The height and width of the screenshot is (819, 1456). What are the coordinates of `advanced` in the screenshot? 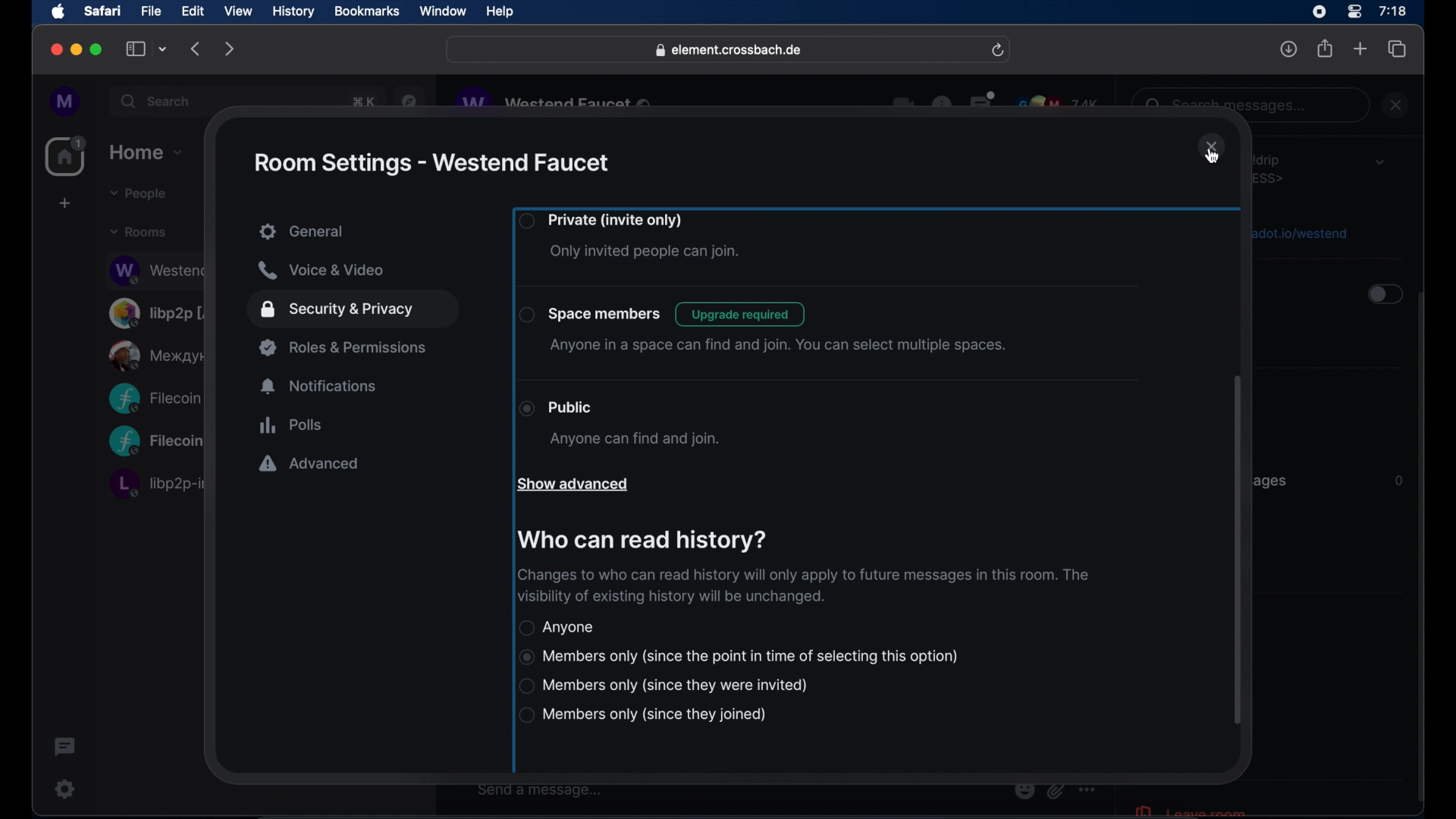 It's located at (309, 465).